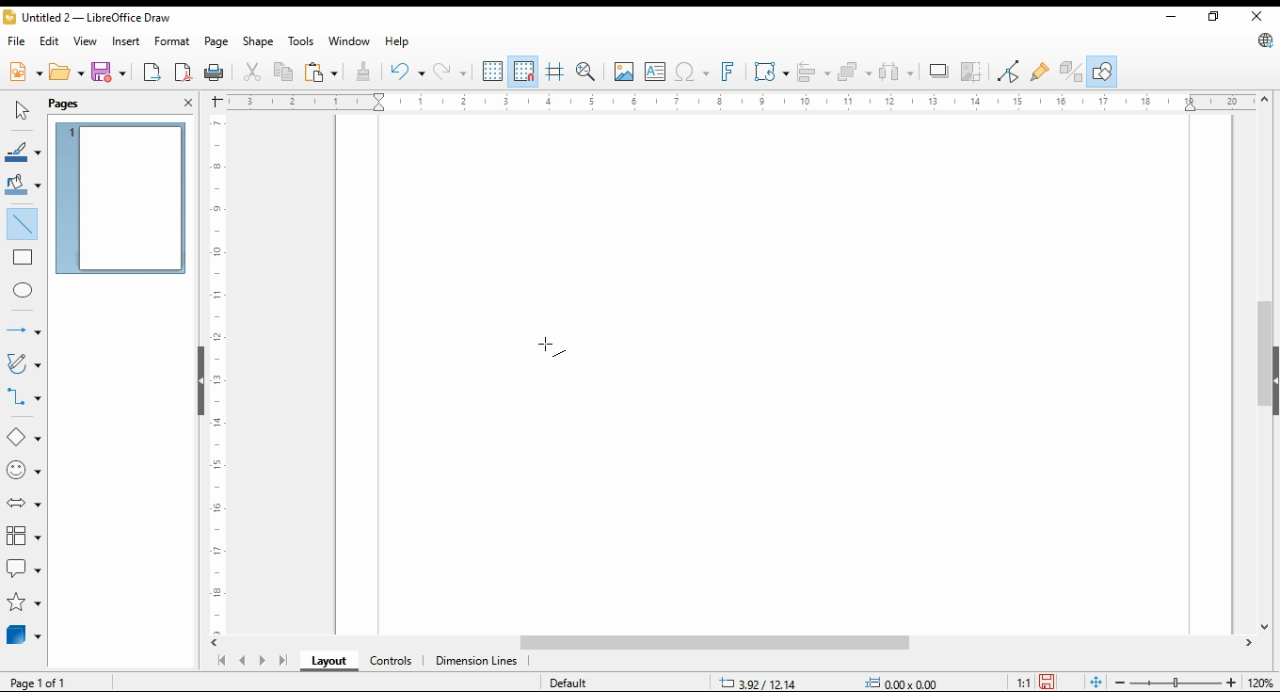 The width and height of the screenshot is (1280, 692). I want to click on symbol shapes, so click(25, 469).